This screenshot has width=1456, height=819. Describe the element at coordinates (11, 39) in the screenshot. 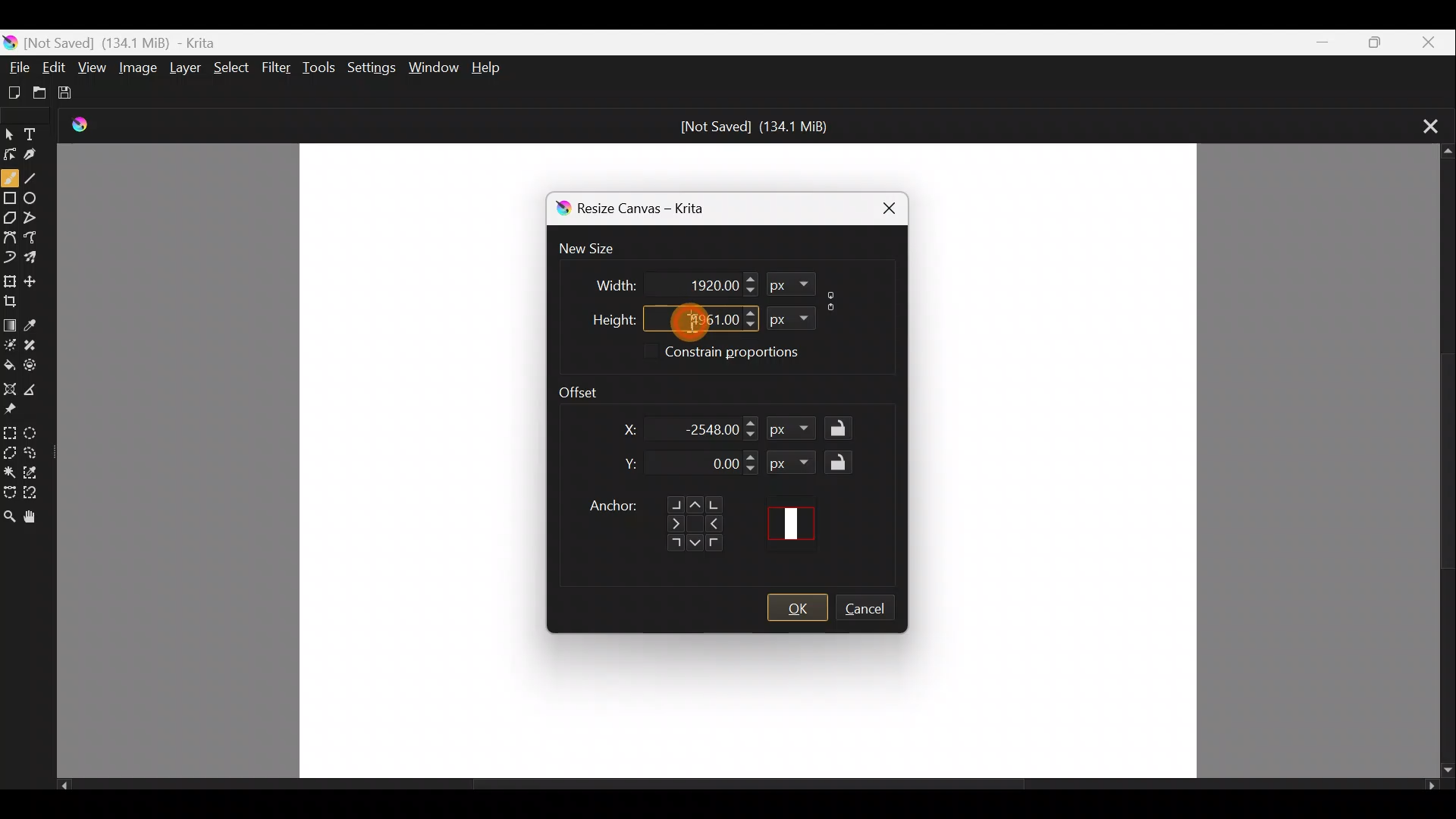

I see `Krita Logo` at that location.